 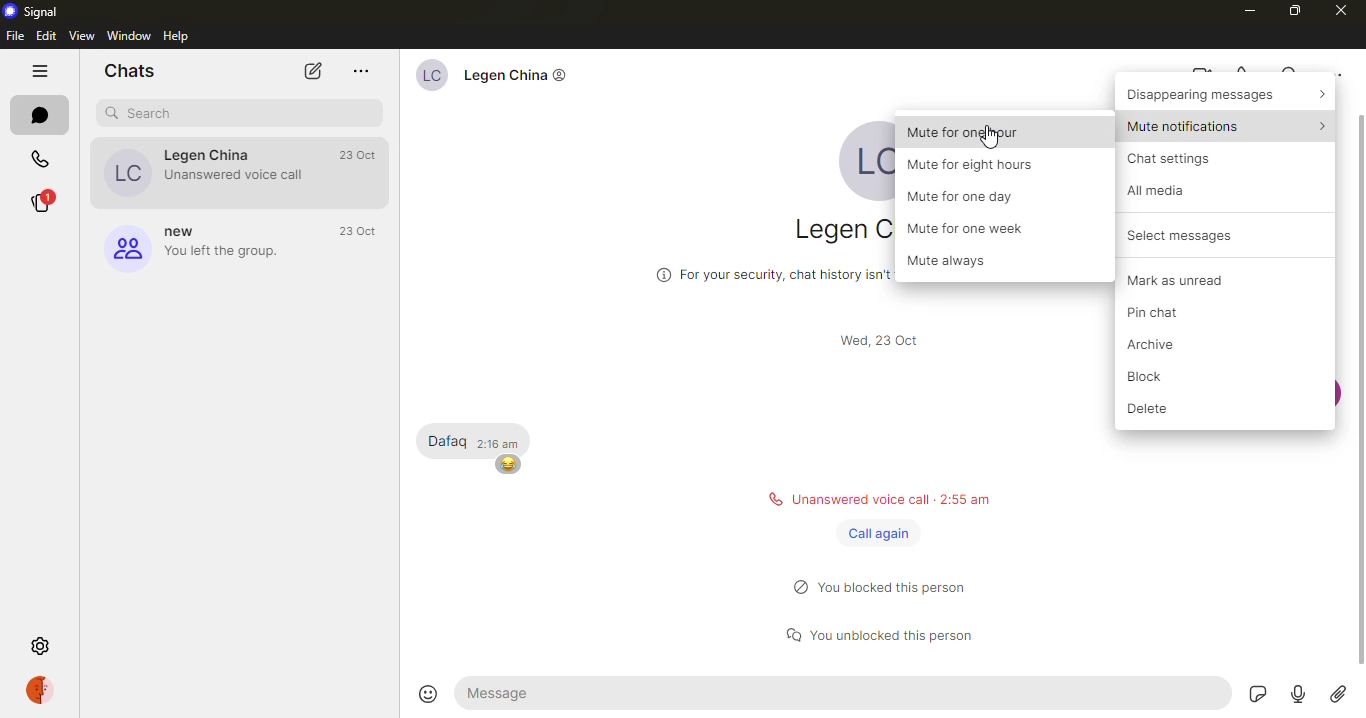 I want to click on stories, so click(x=43, y=202).